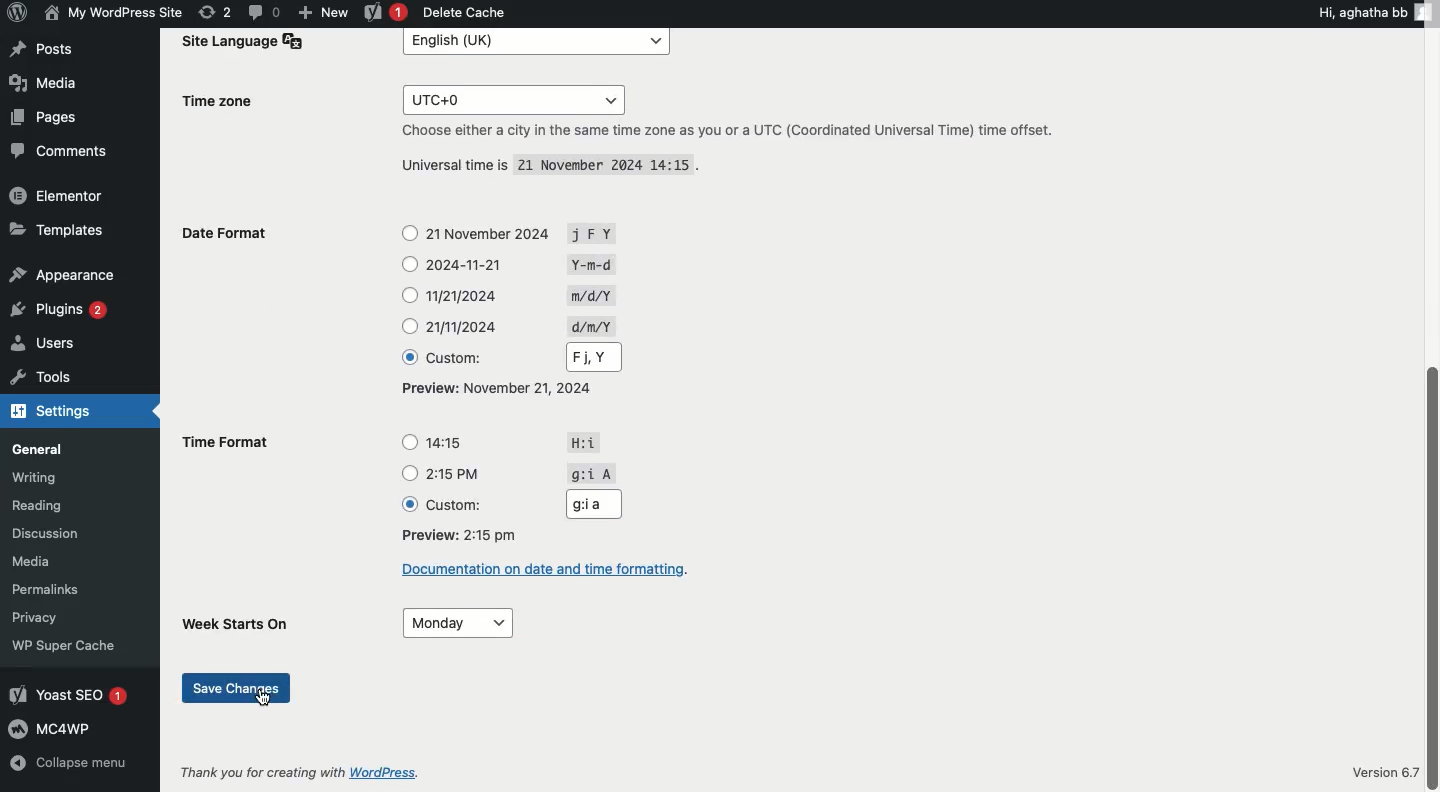 The image size is (1440, 792). I want to click on Settings, so click(72, 410).